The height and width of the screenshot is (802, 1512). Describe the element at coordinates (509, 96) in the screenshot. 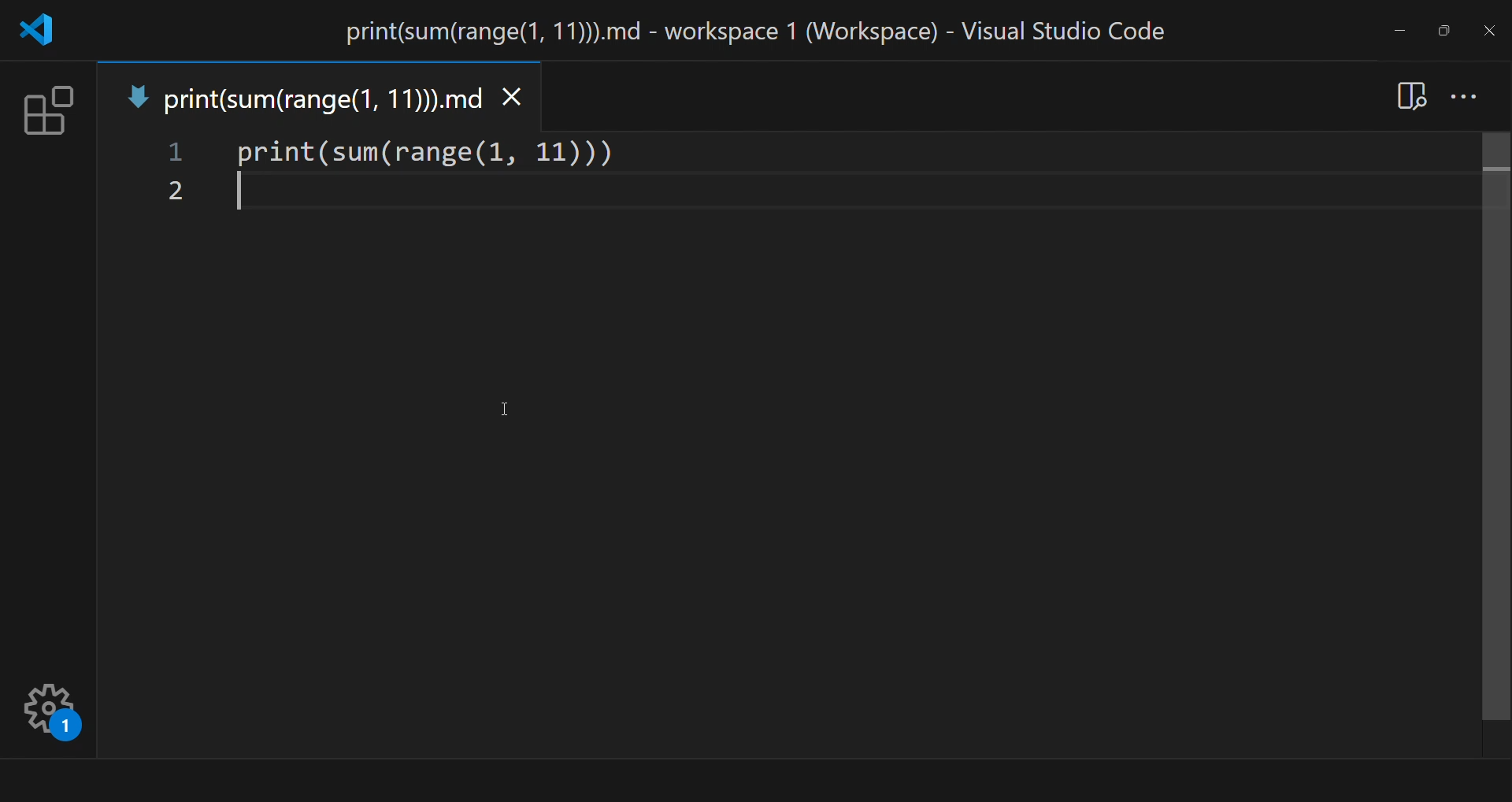

I see `close tab` at that location.